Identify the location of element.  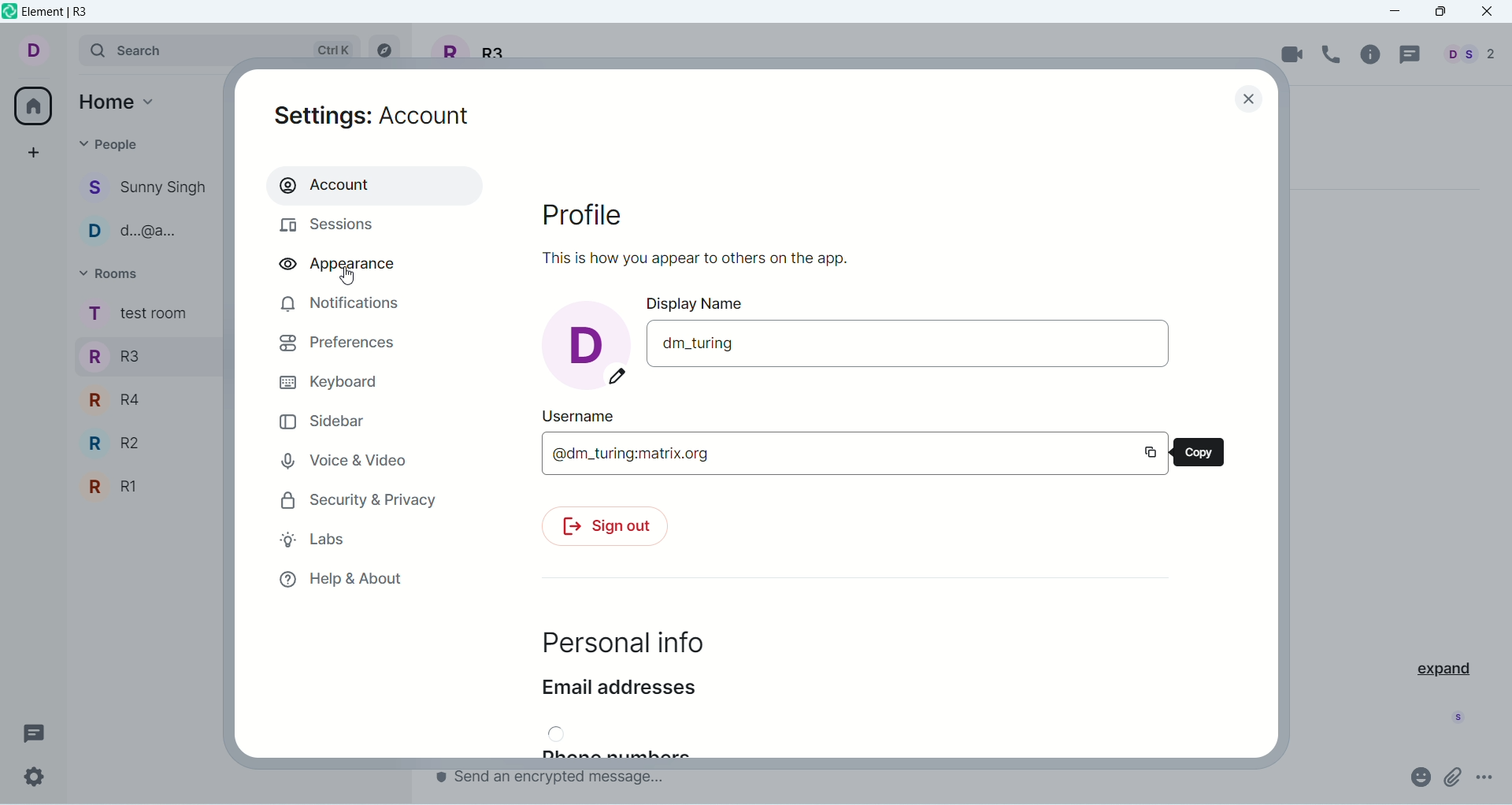
(59, 13).